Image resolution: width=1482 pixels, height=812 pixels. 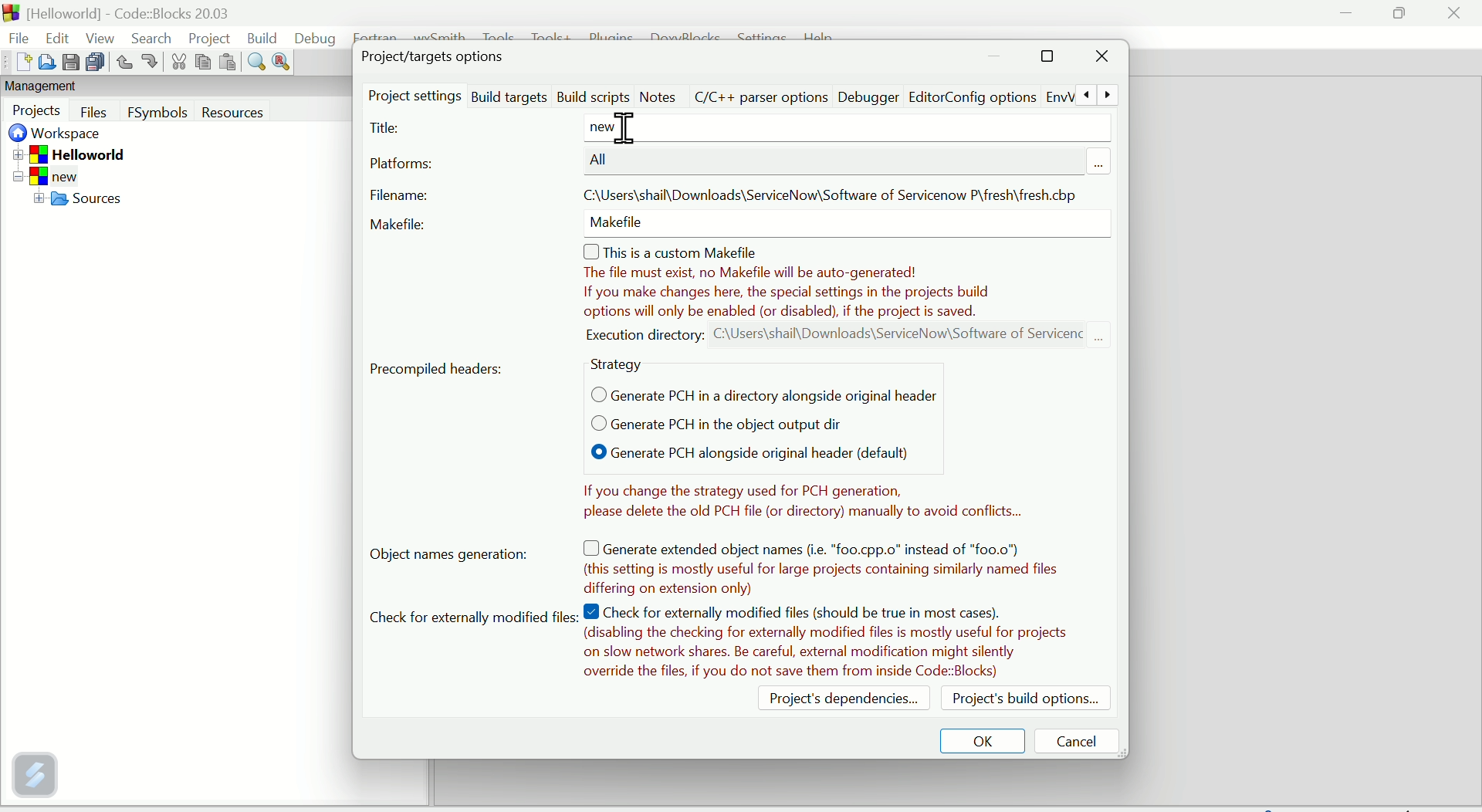 I want to click on Build, so click(x=264, y=36).